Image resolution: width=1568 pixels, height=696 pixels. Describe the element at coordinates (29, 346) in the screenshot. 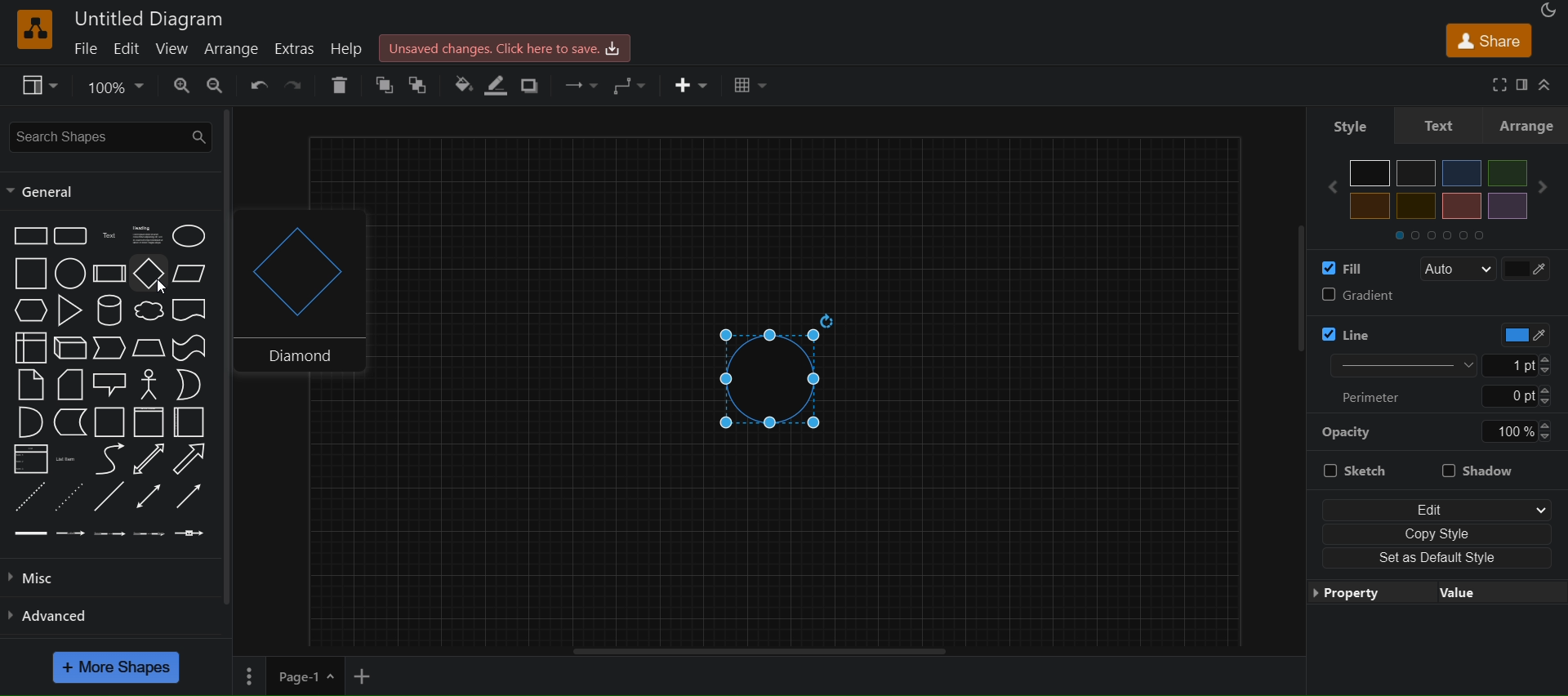

I see `internal storage` at that location.